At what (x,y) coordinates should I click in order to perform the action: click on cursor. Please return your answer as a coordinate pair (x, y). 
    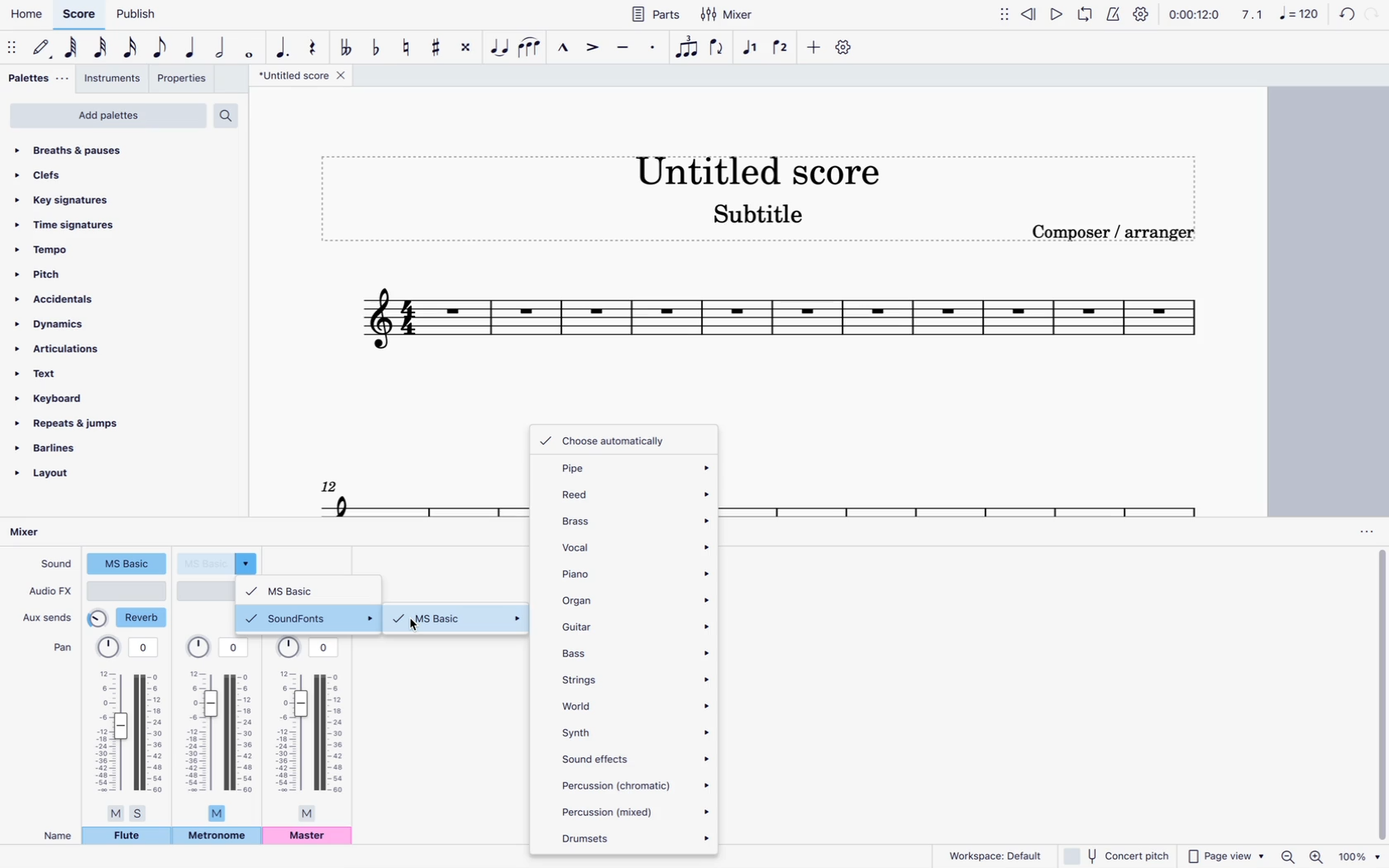
    Looking at the image, I should click on (413, 632).